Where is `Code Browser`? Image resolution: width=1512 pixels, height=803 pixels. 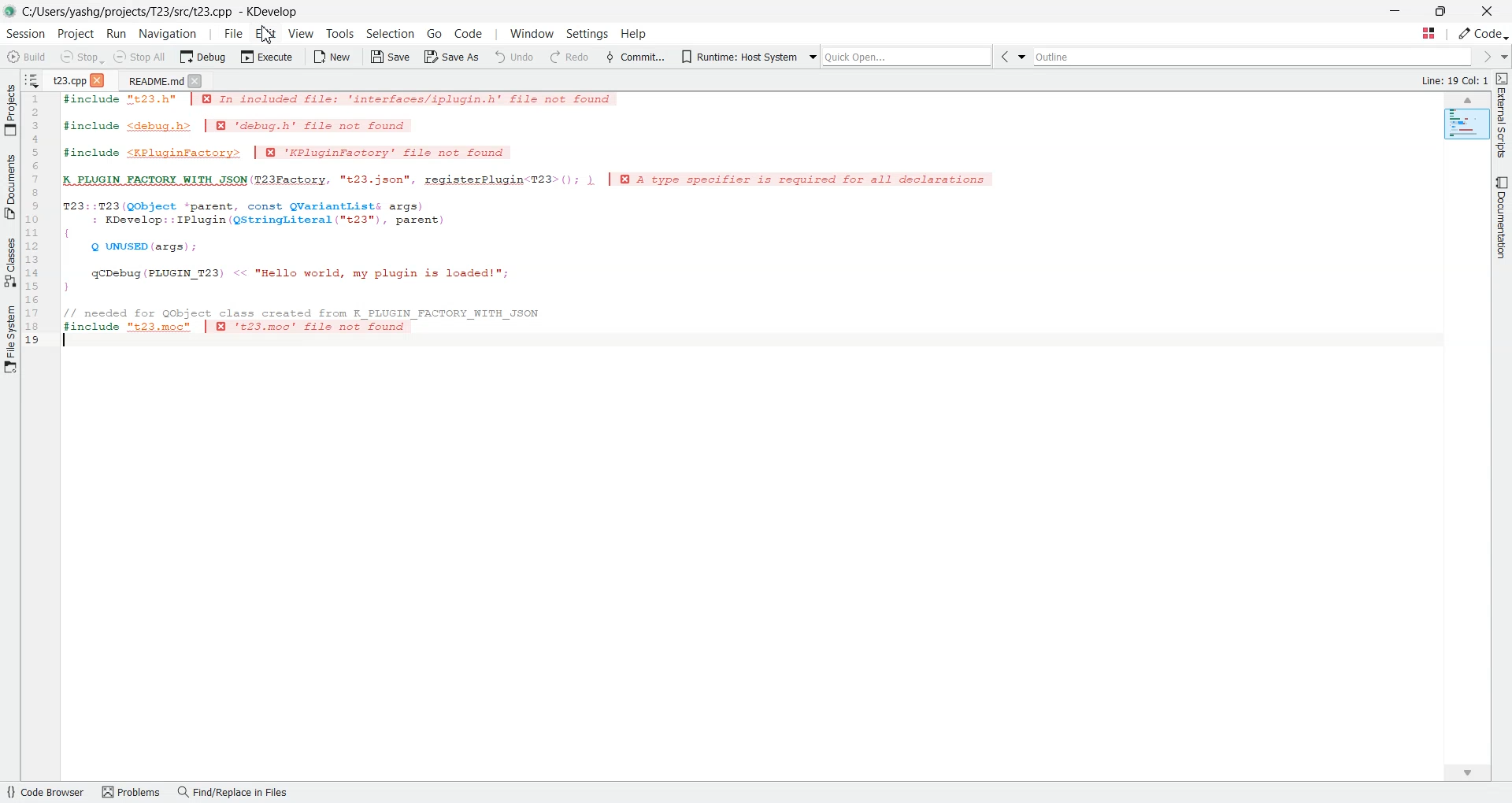 Code Browser is located at coordinates (46, 794).